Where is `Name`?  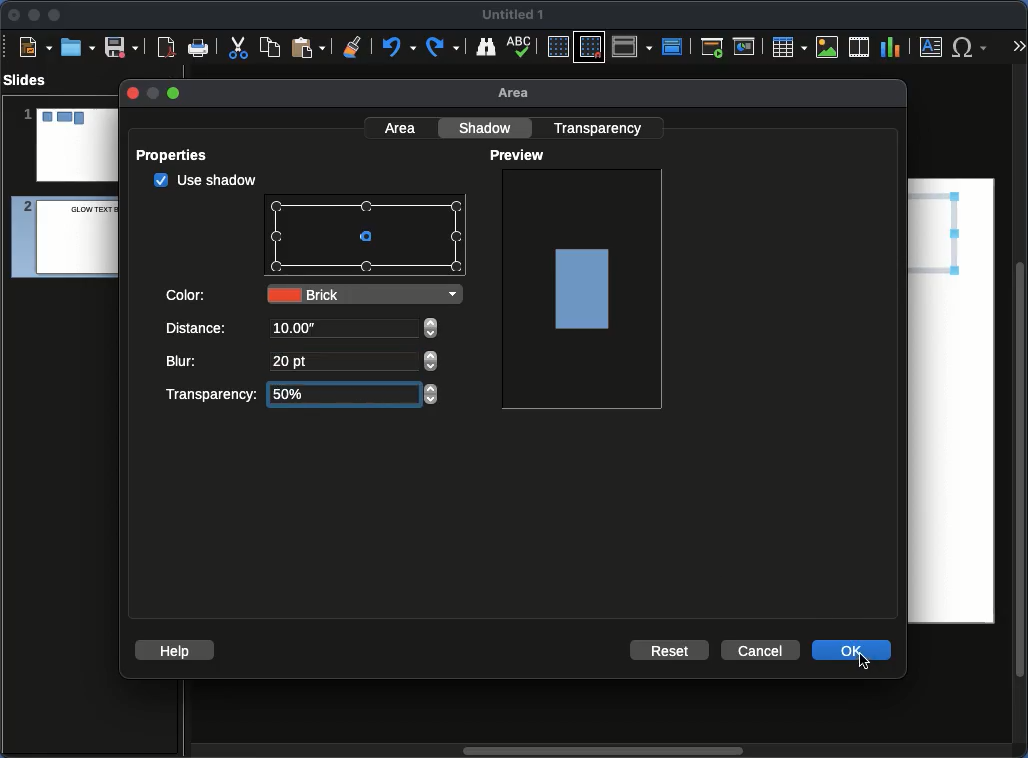 Name is located at coordinates (514, 15).